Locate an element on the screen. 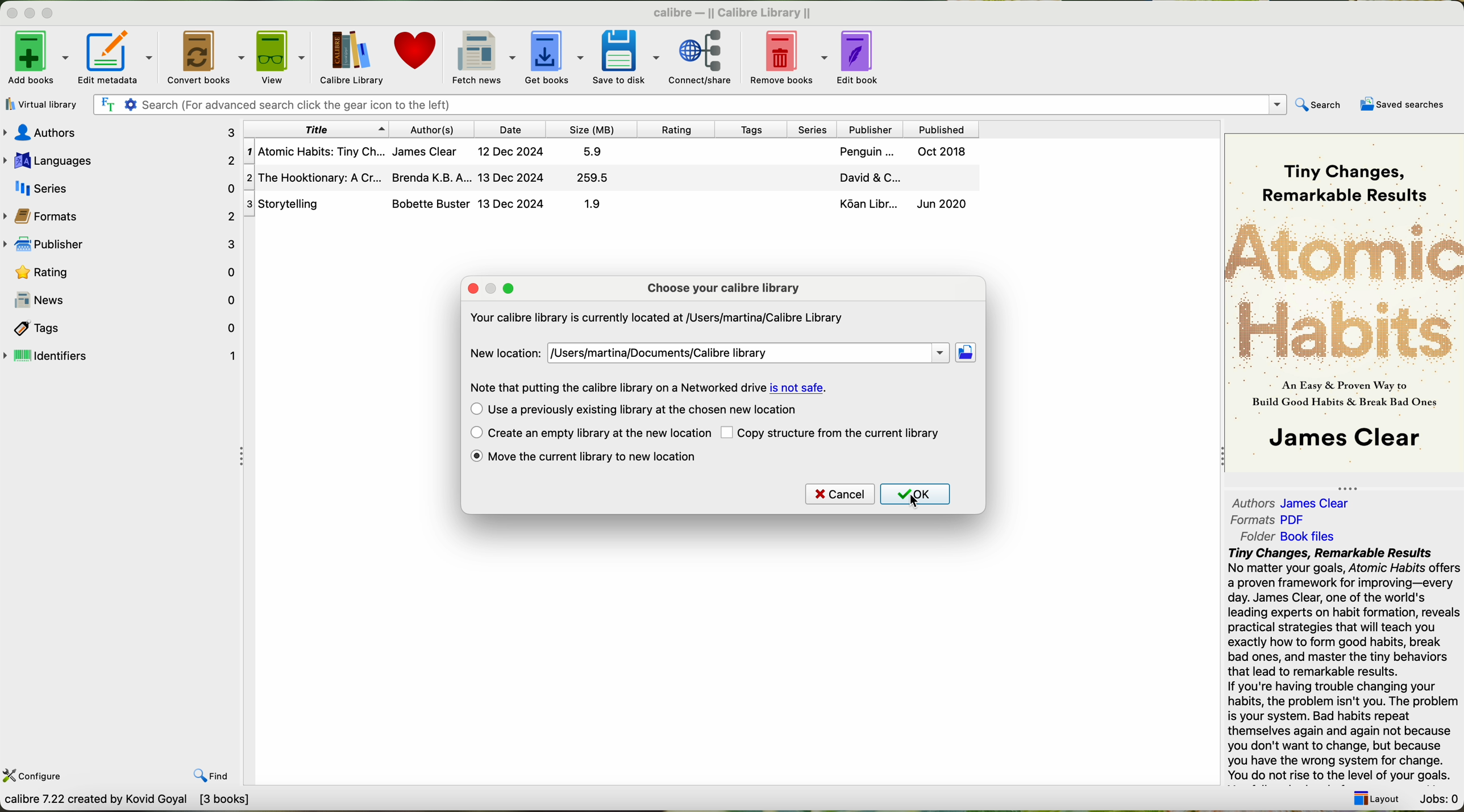 Image resolution: width=1464 pixels, height=812 pixels. move the current library to new location is located at coordinates (600, 457).